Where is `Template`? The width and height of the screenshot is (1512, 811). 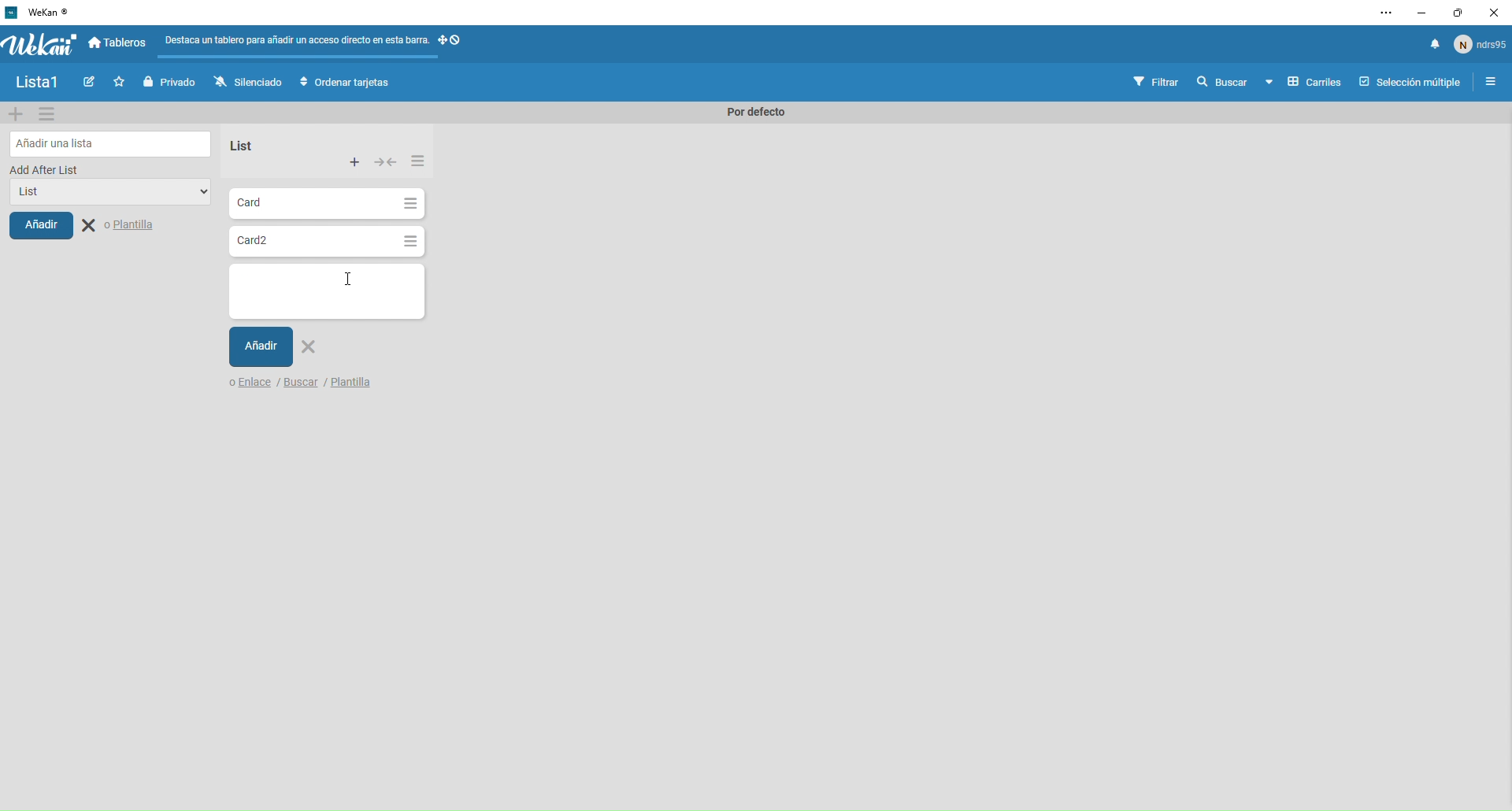
Template is located at coordinates (365, 380).